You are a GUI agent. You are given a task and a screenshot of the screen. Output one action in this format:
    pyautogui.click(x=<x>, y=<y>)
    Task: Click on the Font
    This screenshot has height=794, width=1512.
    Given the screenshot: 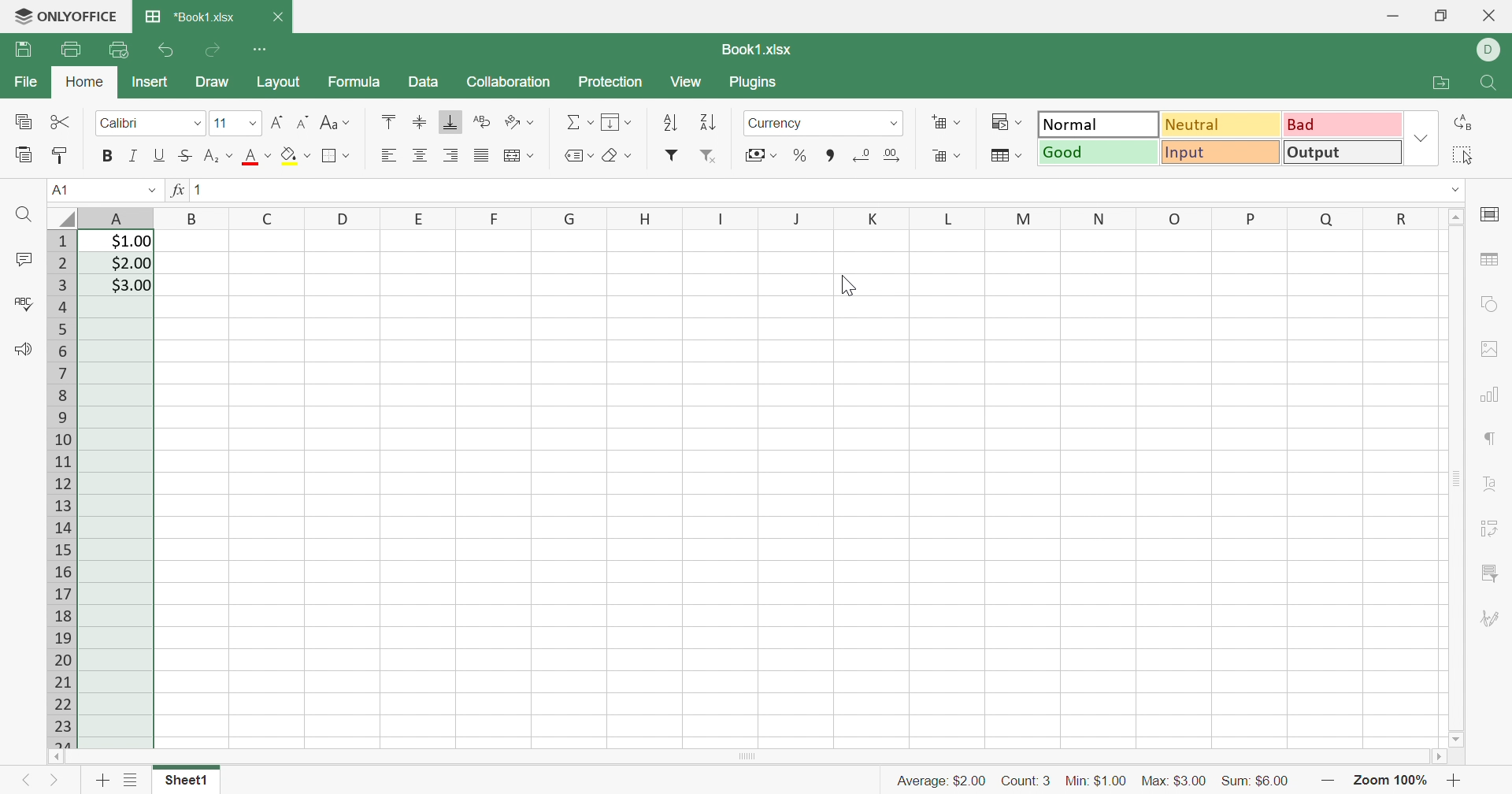 What is the action you would take?
    pyautogui.click(x=150, y=121)
    